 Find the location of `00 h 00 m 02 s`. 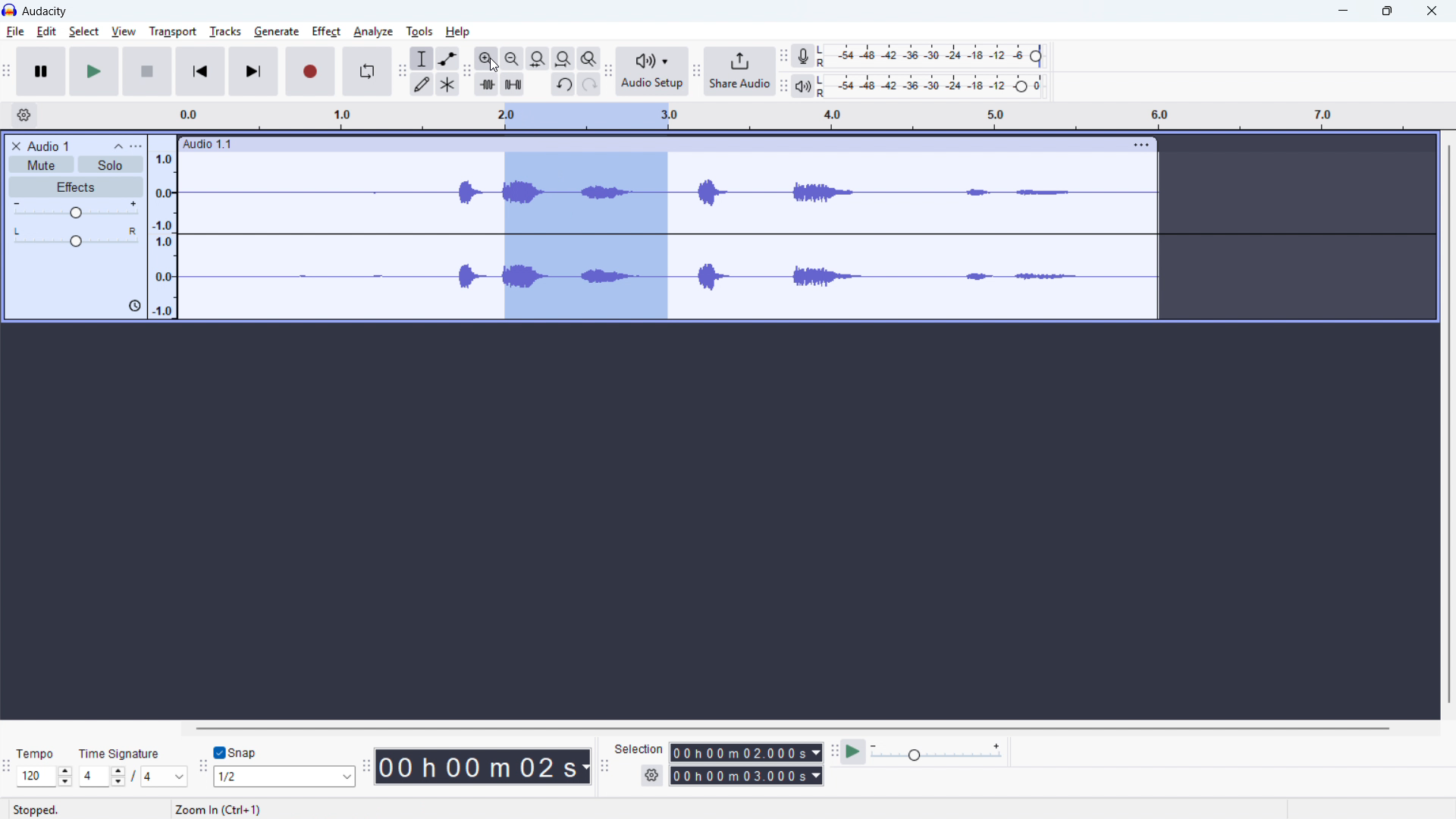

00 h 00 m 02 s is located at coordinates (485, 767).